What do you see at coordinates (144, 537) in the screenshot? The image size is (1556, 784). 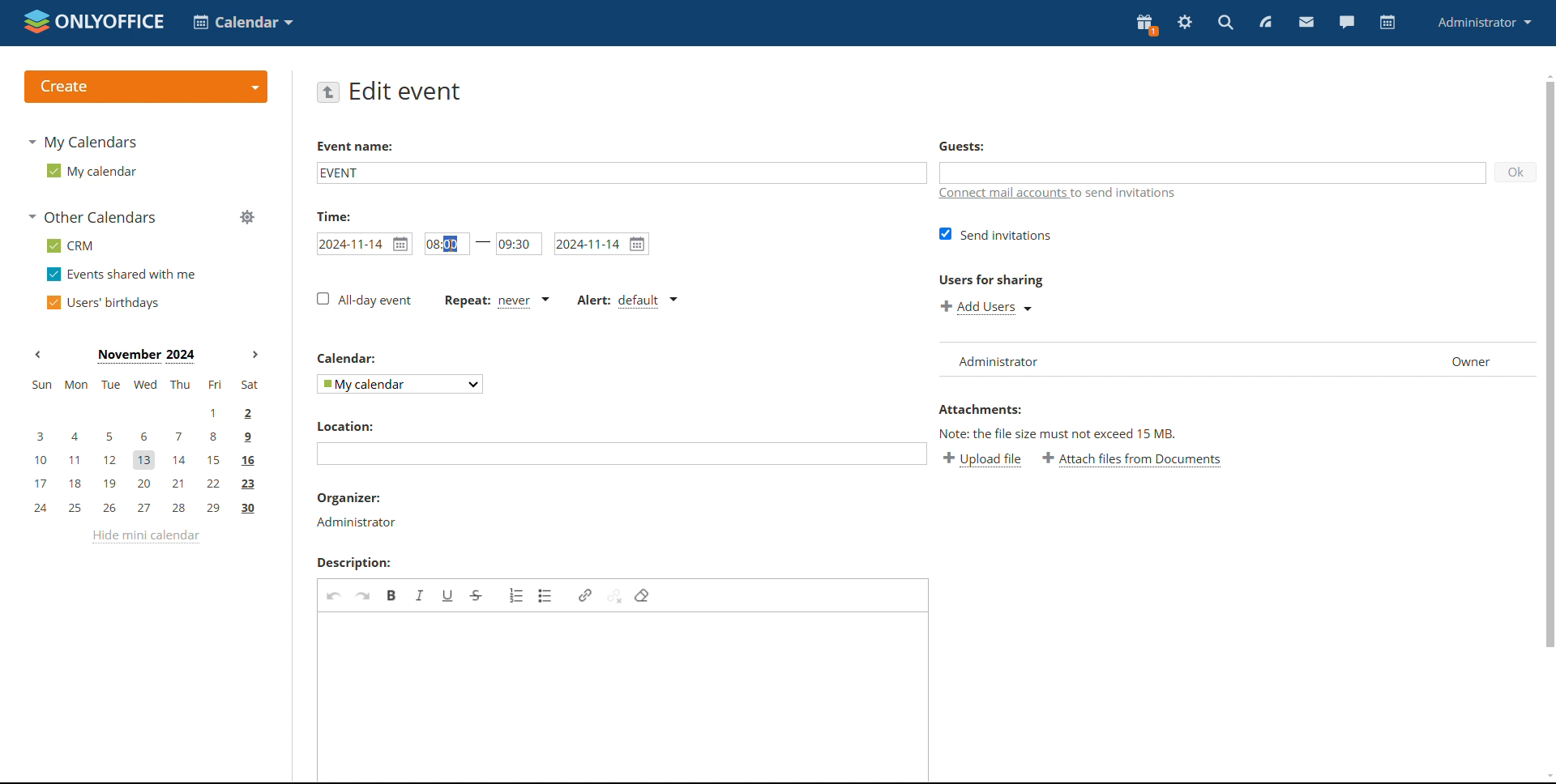 I see `hide mini calendar` at bounding box center [144, 537].